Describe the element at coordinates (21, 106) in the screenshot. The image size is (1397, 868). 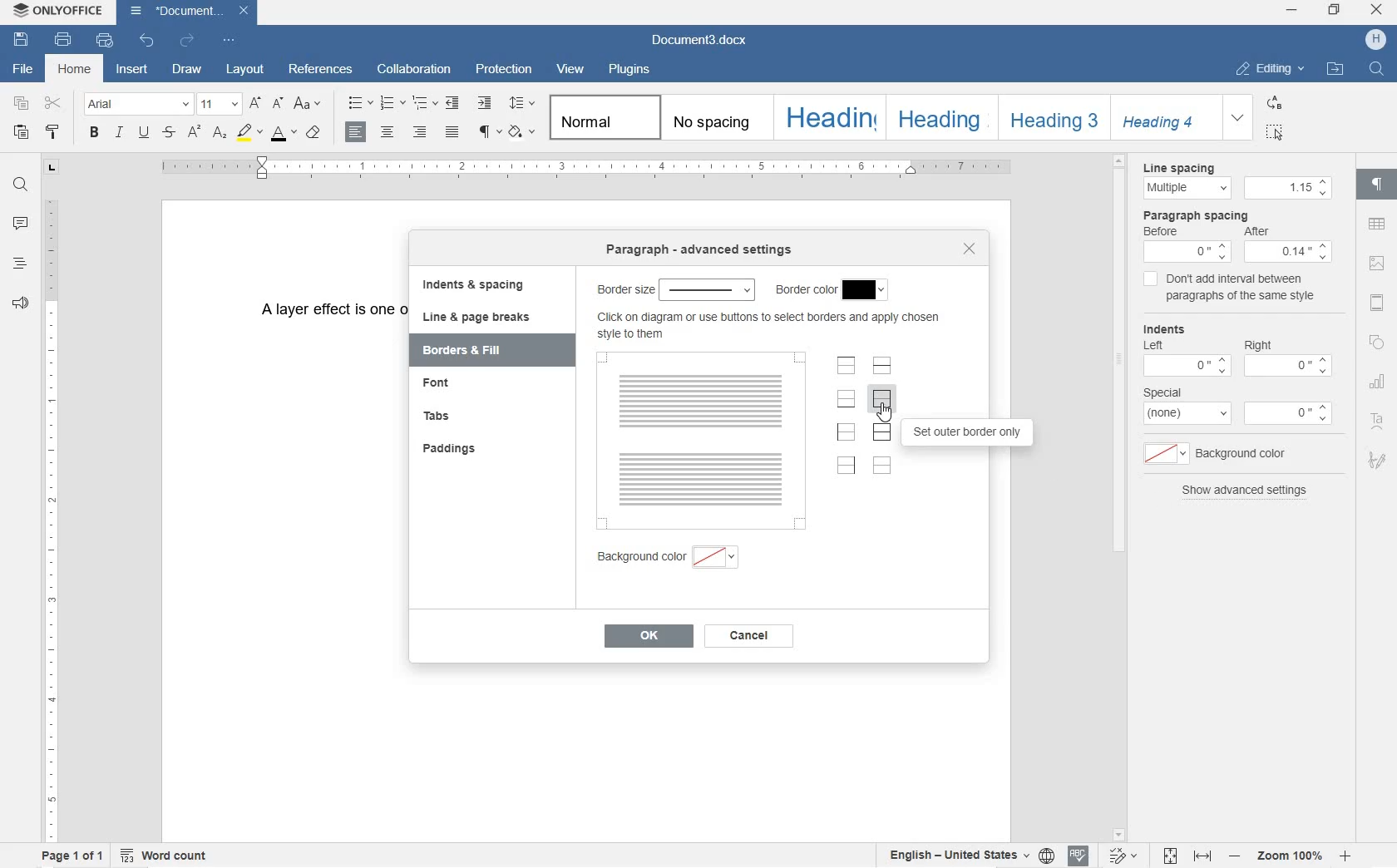
I see `COPY` at that location.